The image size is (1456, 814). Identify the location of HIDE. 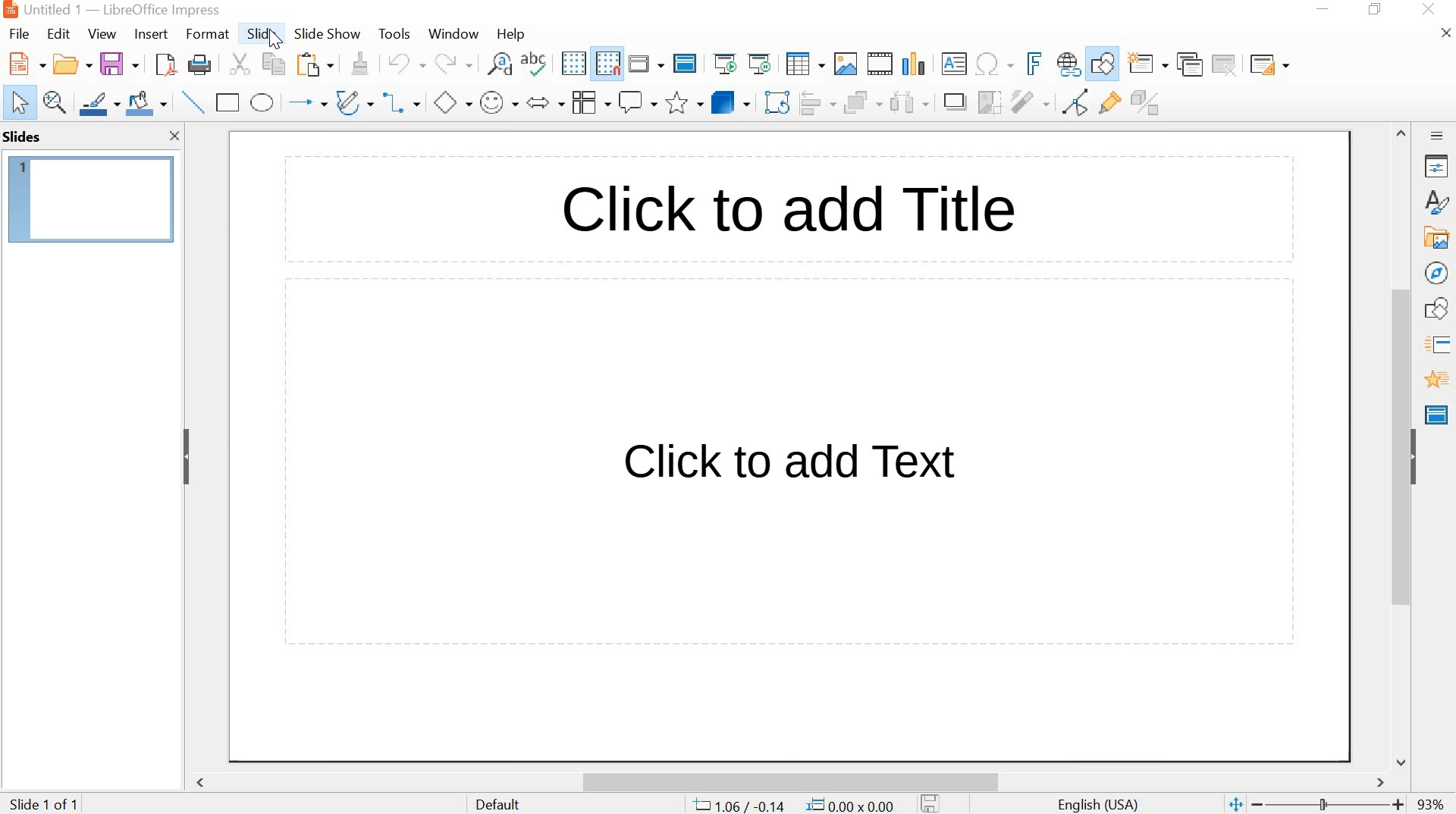
(187, 459).